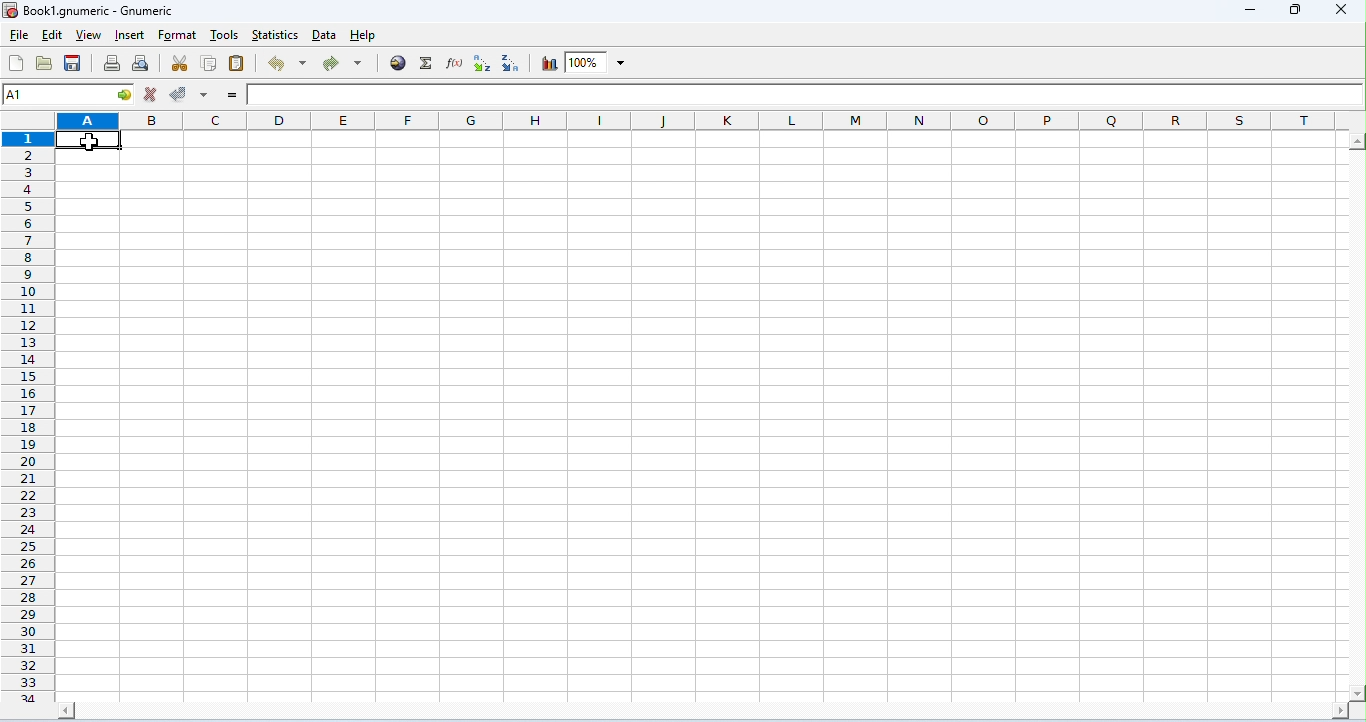 This screenshot has width=1366, height=722. Describe the element at coordinates (428, 63) in the screenshot. I see `select function` at that location.